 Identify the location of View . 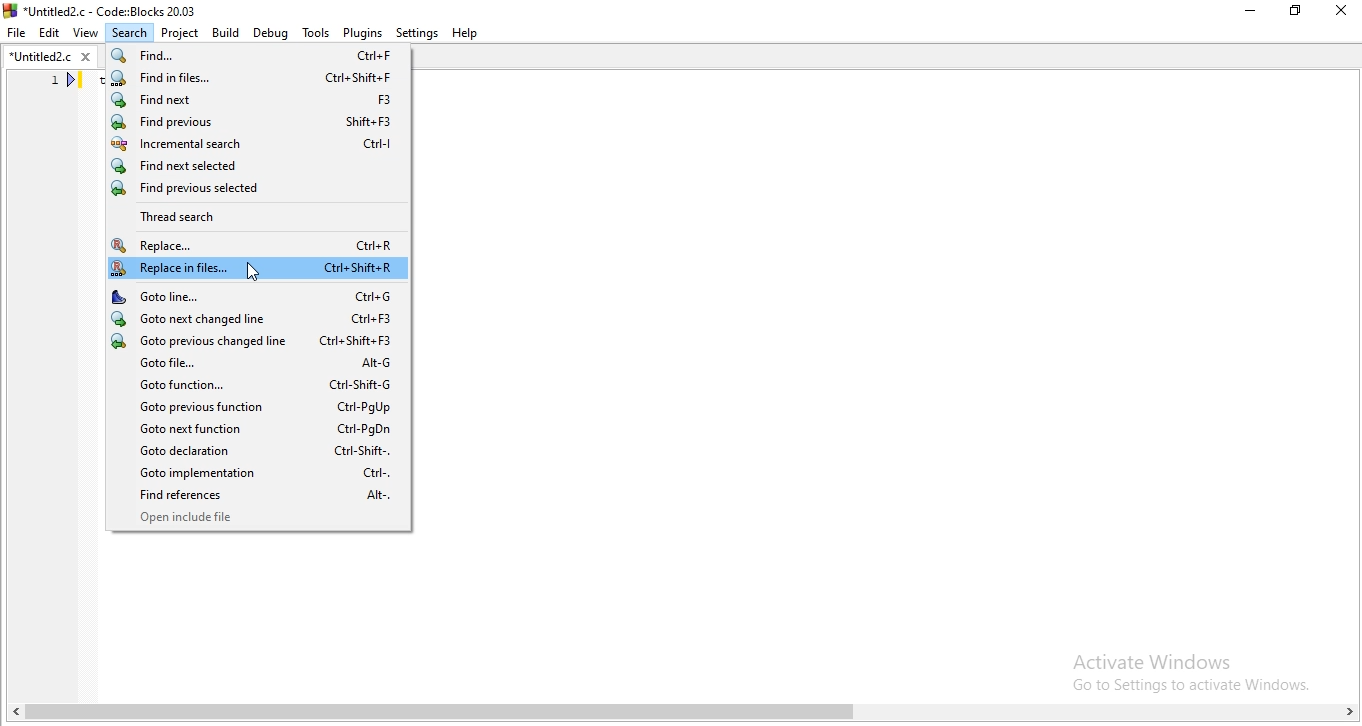
(85, 32).